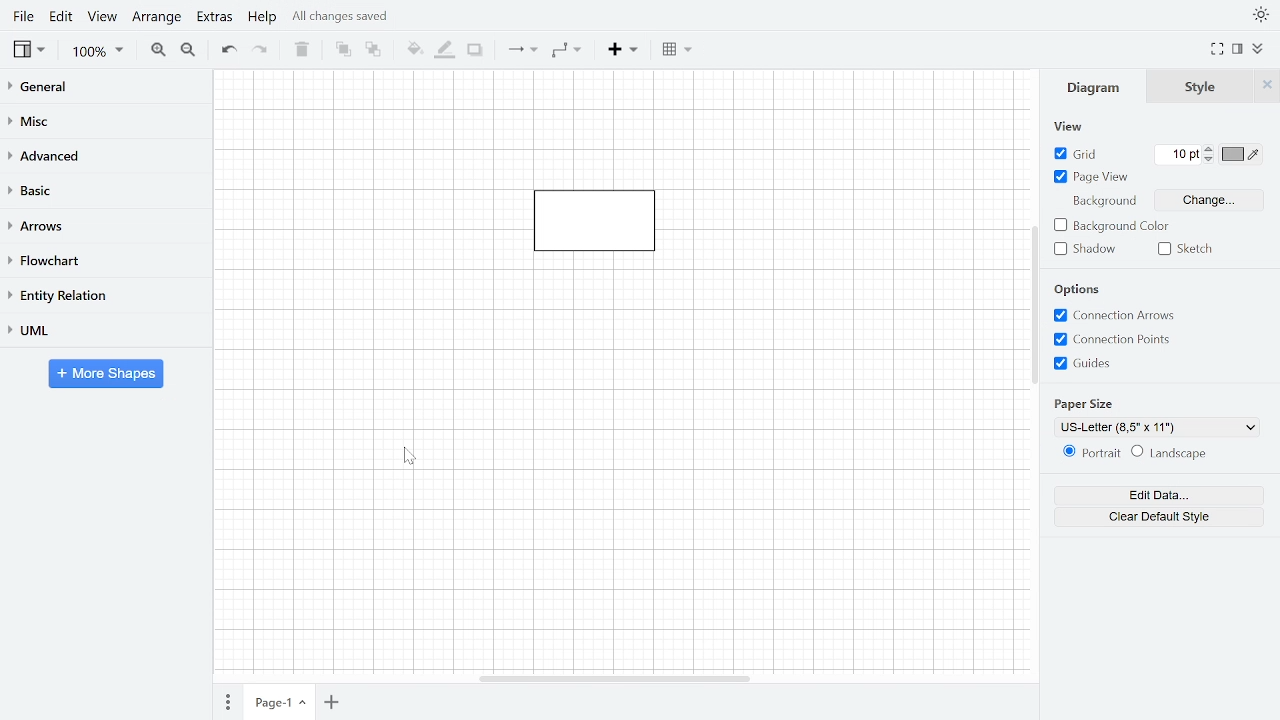 The width and height of the screenshot is (1280, 720). Describe the element at coordinates (103, 122) in the screenshot. I see `Misc` at that location.